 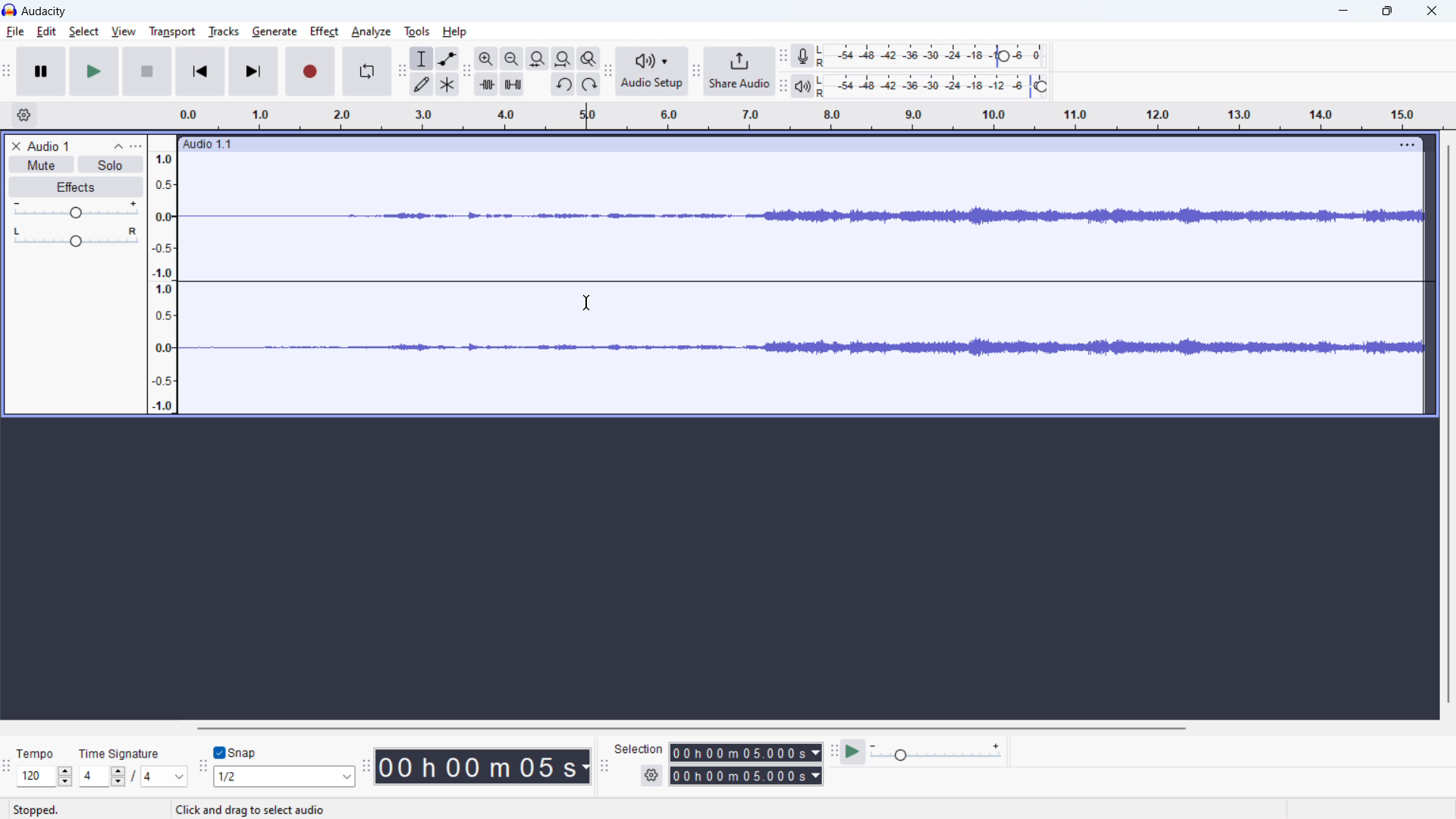 What do you see at coordinates (201, 71) in the screenshot?
I see `skip to start` at bounding box center [201, 71].